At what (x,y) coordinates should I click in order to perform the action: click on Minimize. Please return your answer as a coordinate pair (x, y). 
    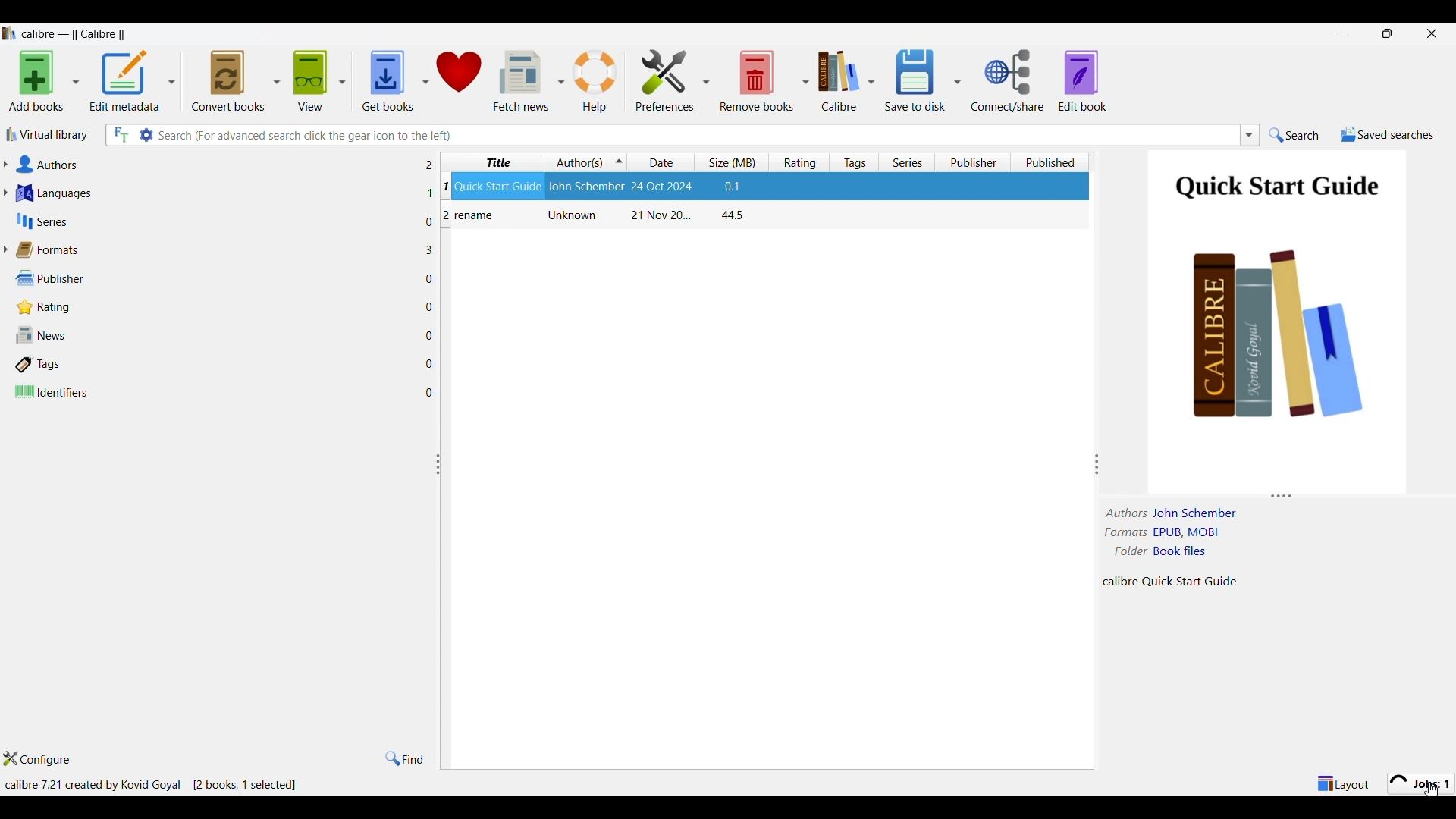
    Looking at the image, I should click on (1343, 33).